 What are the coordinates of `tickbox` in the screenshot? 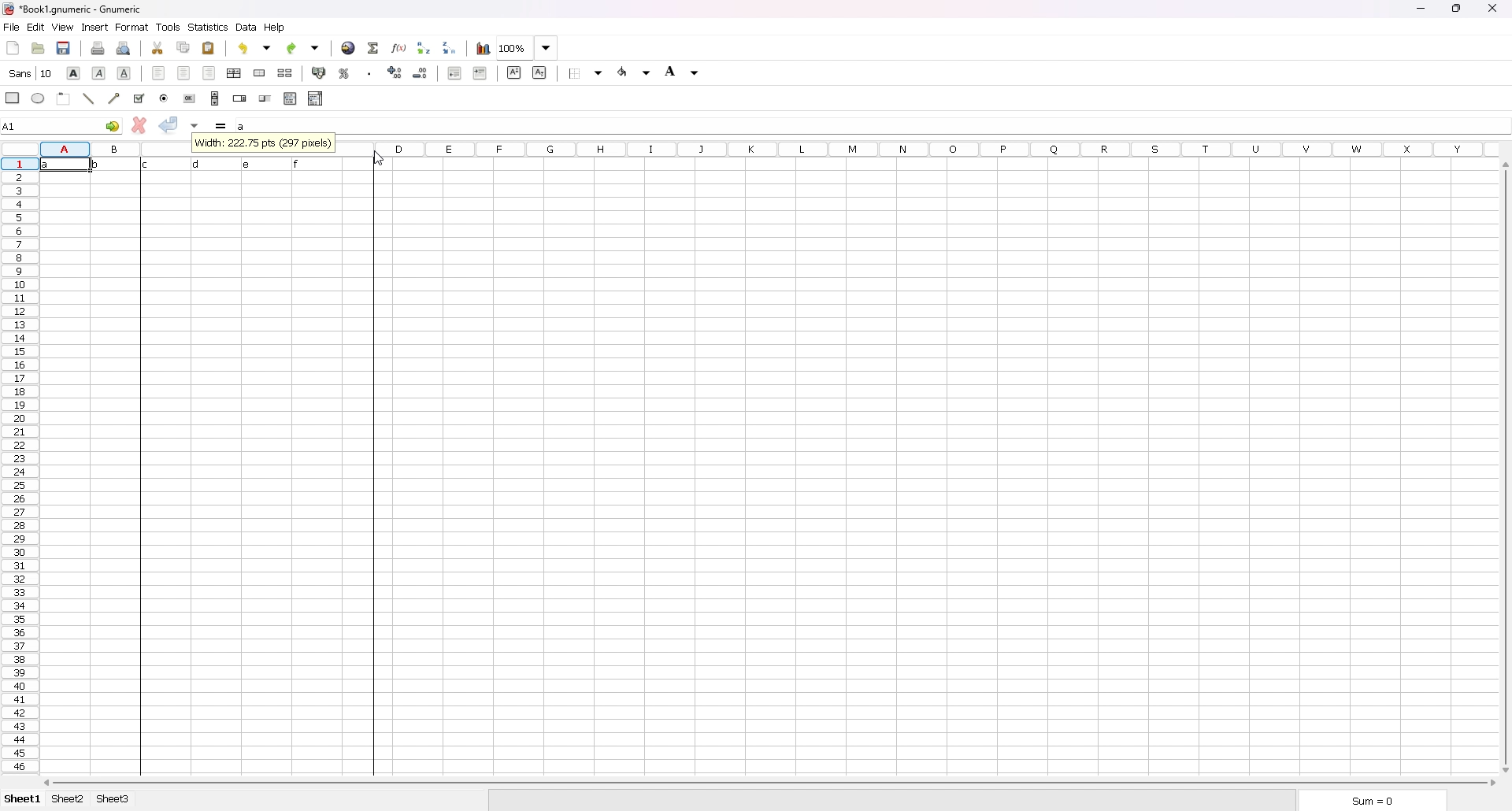 It's located at (139, 98).